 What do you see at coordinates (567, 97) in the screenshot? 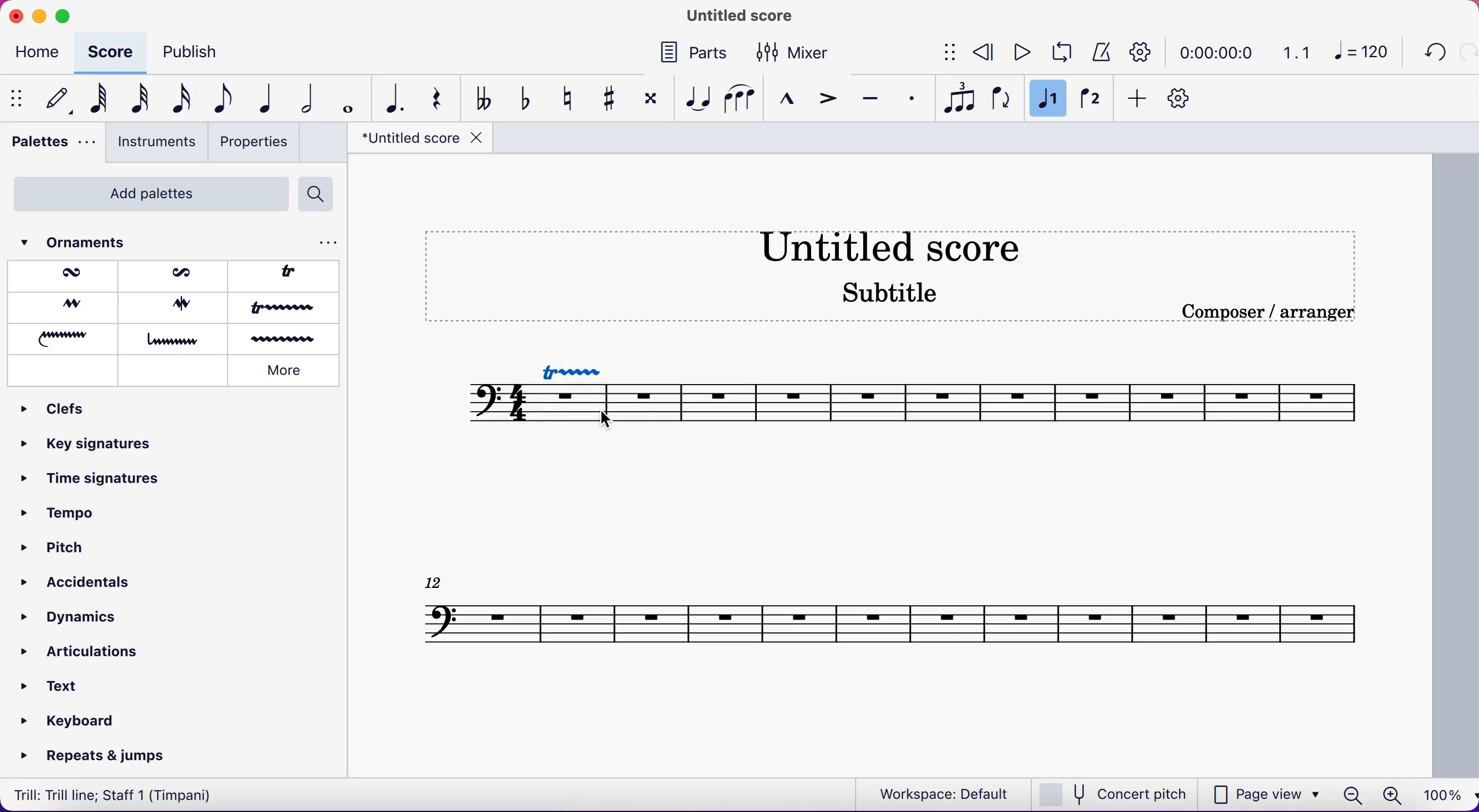
I see `toggle natural` at bounding box center [567, 97].